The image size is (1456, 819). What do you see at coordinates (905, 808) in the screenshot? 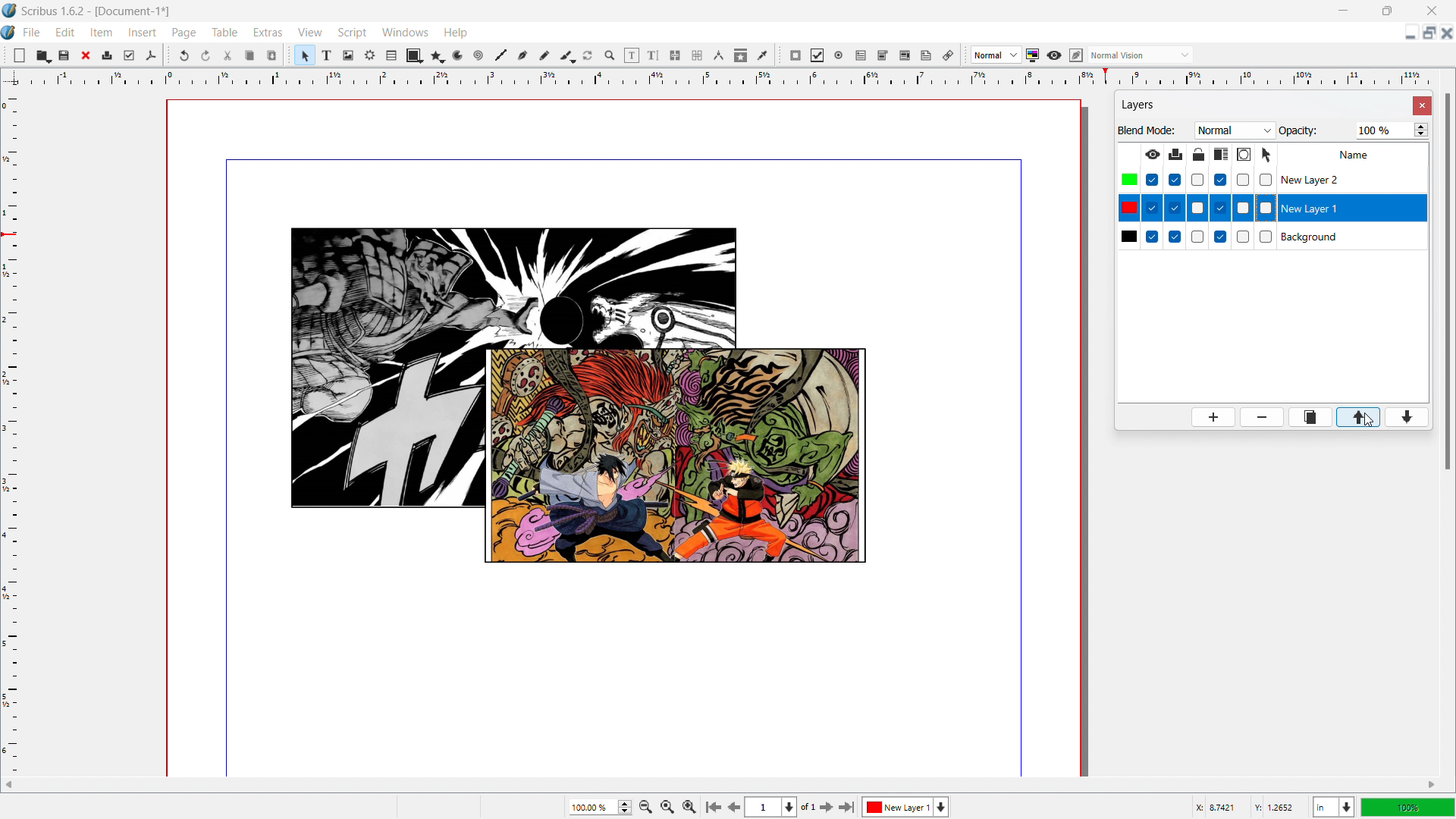
I see `layer 1 selected` at bounding box center [905, 808].